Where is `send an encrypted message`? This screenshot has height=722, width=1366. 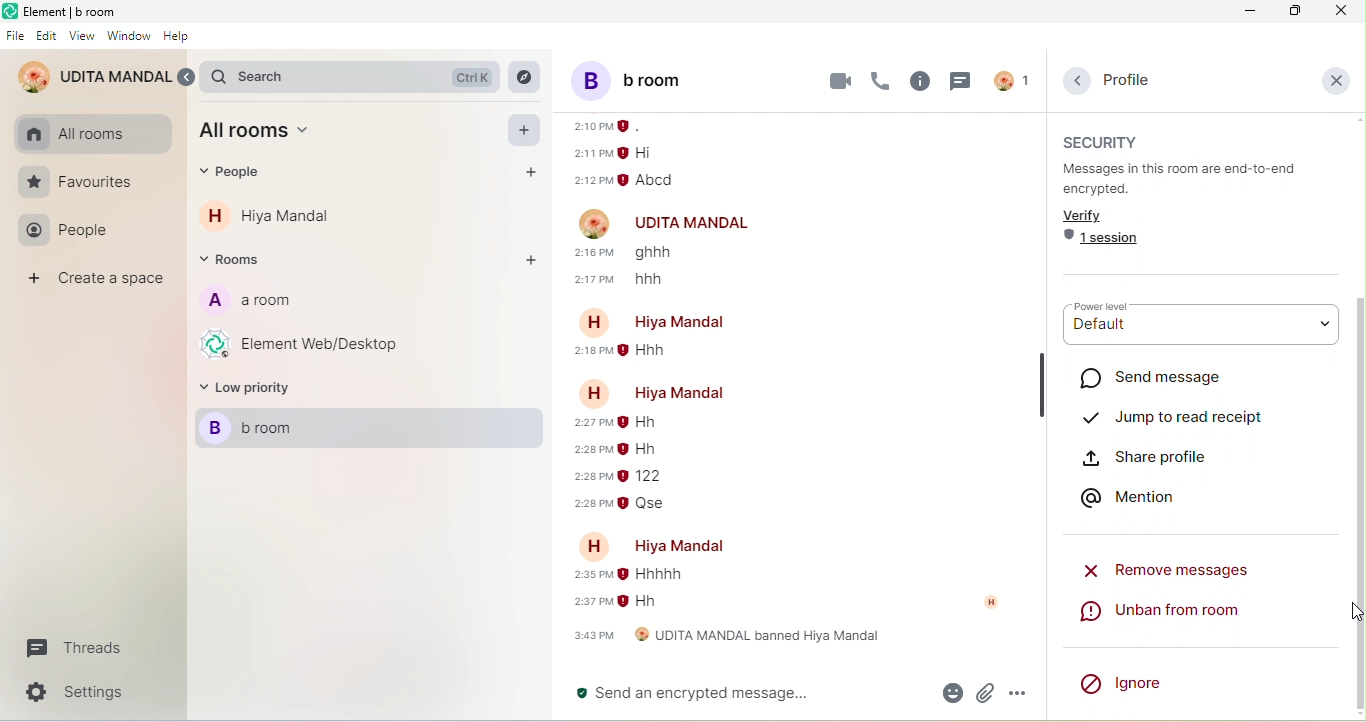 send an encrypted message is located at coordinates (744, 694).